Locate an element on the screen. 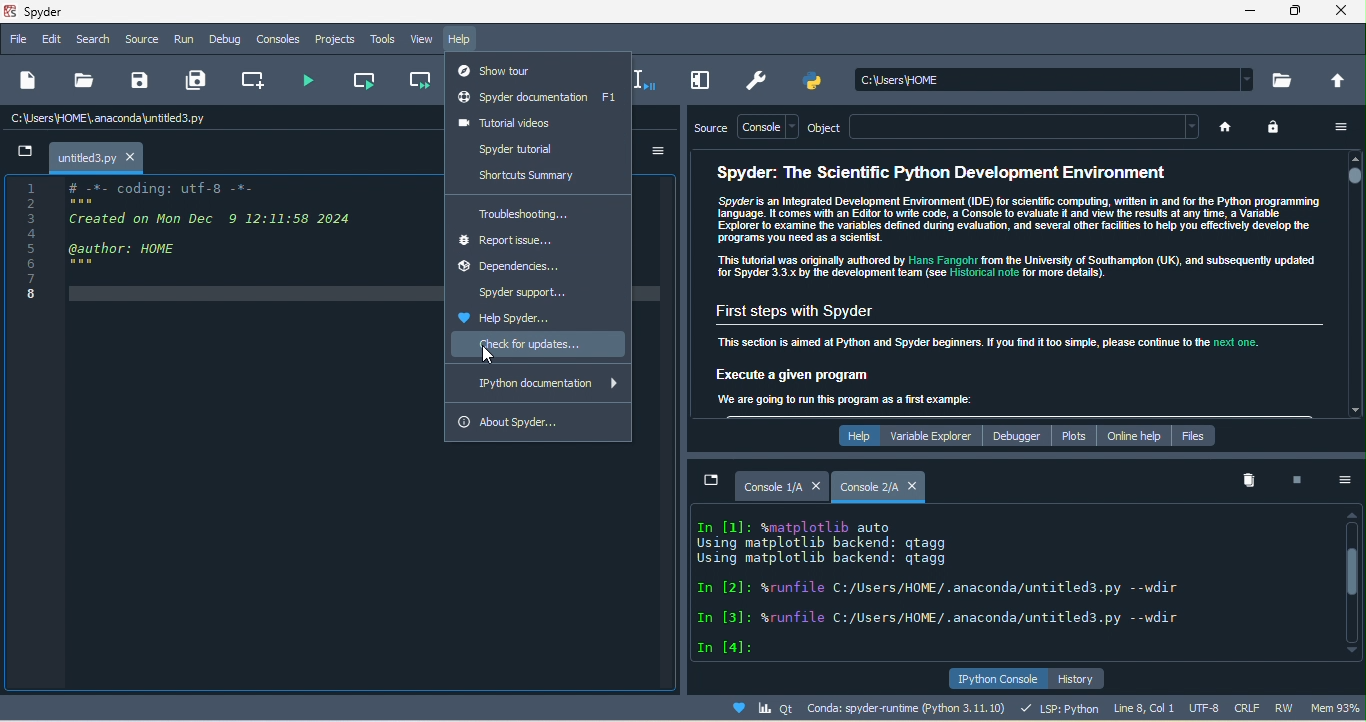 The image size is (1366, 722). c\users\home\anaconda is located at coordinates (117, 119).